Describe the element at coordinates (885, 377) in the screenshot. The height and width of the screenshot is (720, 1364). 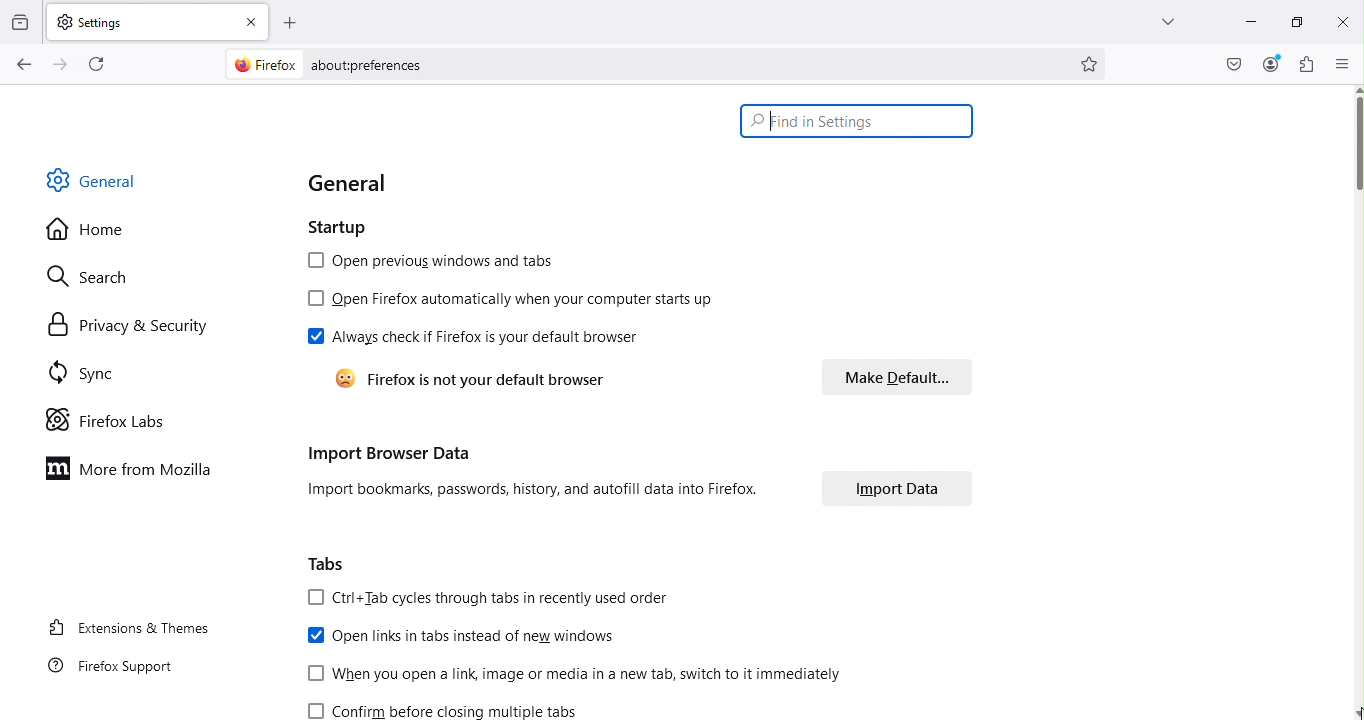
I see `Make default` at that location.